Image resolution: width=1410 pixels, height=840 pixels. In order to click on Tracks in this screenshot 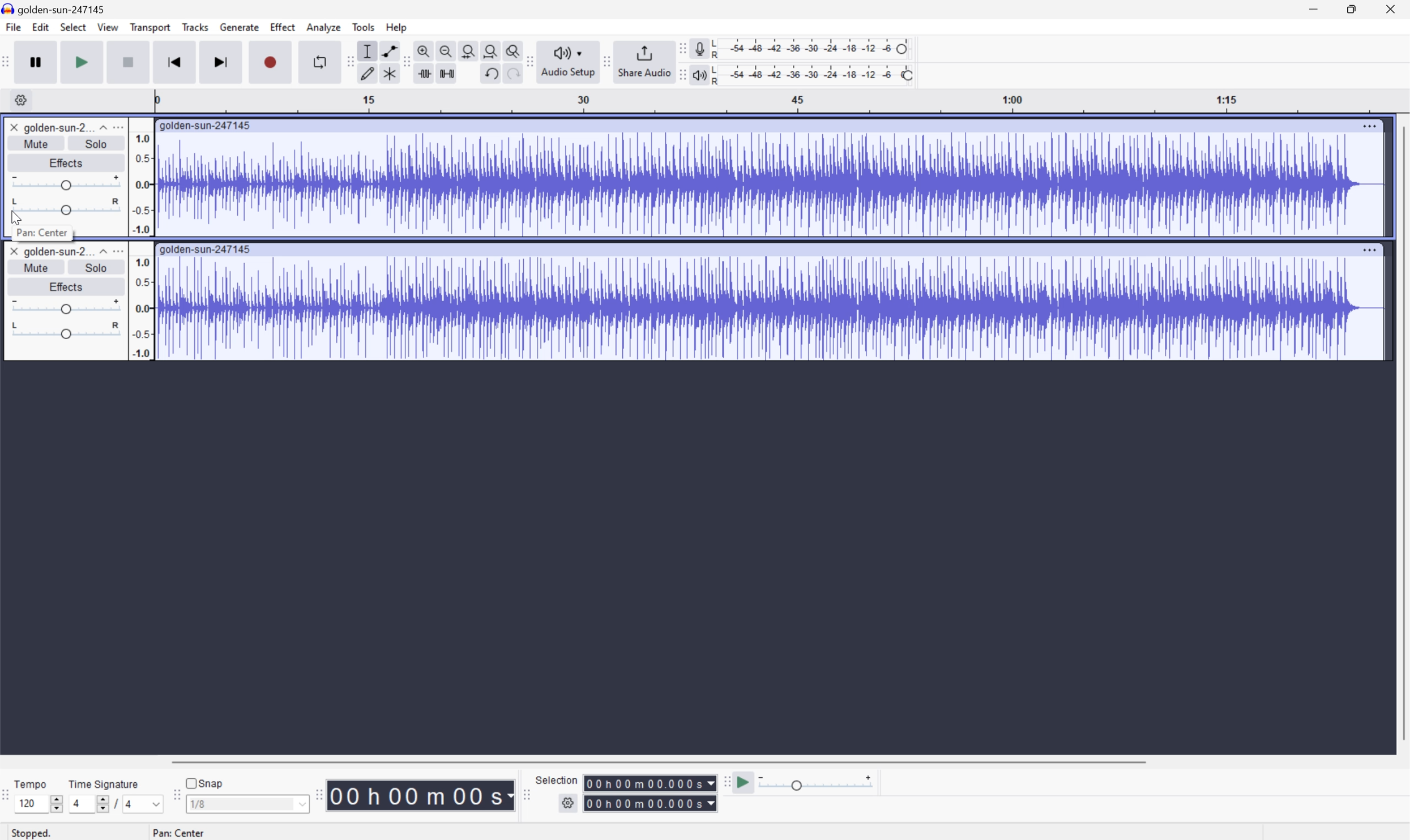, I will do `click(195, 29)`.